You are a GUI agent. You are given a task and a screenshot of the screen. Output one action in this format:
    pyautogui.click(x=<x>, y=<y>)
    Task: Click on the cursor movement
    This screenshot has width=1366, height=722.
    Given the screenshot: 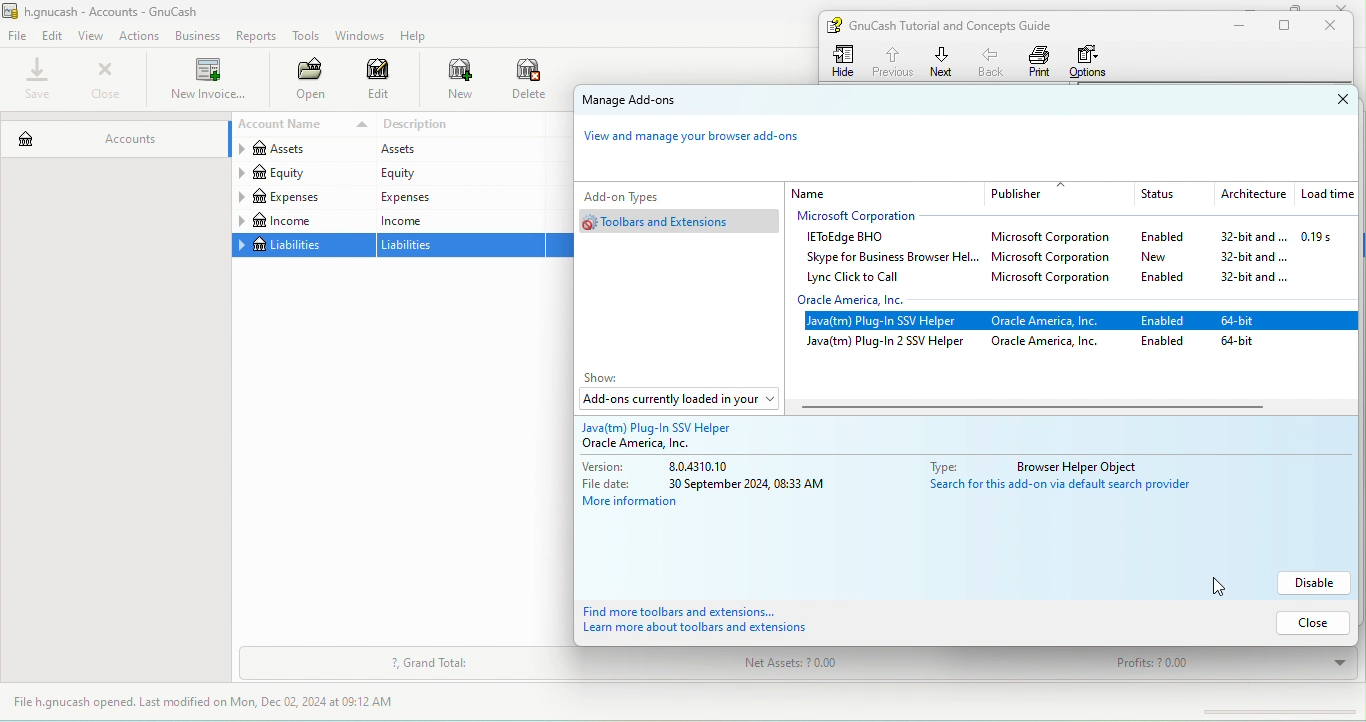 What is the action you would take?
    pyautogui.click(x=1223, y=583)
    